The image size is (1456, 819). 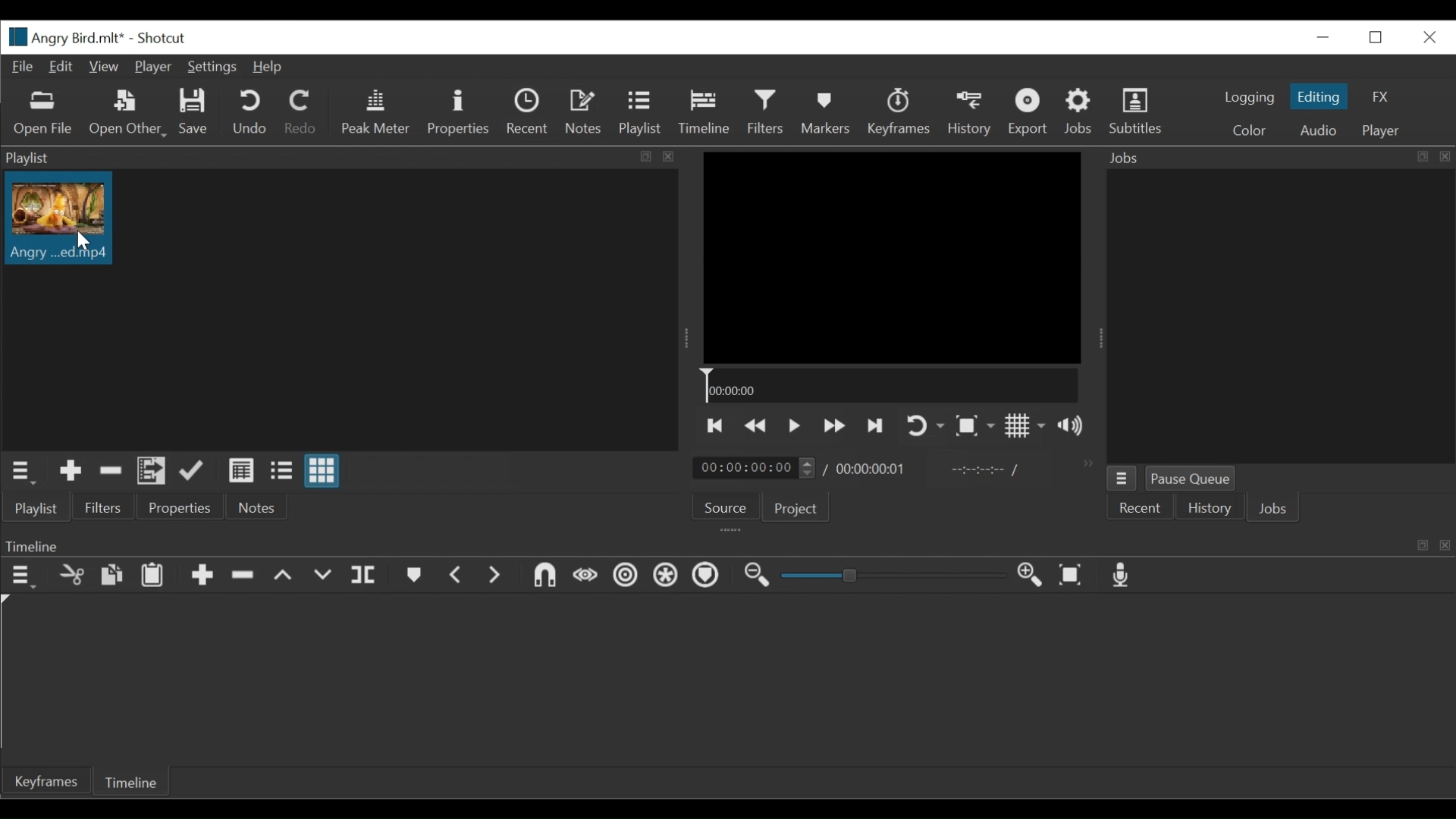 I want to click on bookmark, so click(x=414, y=577).